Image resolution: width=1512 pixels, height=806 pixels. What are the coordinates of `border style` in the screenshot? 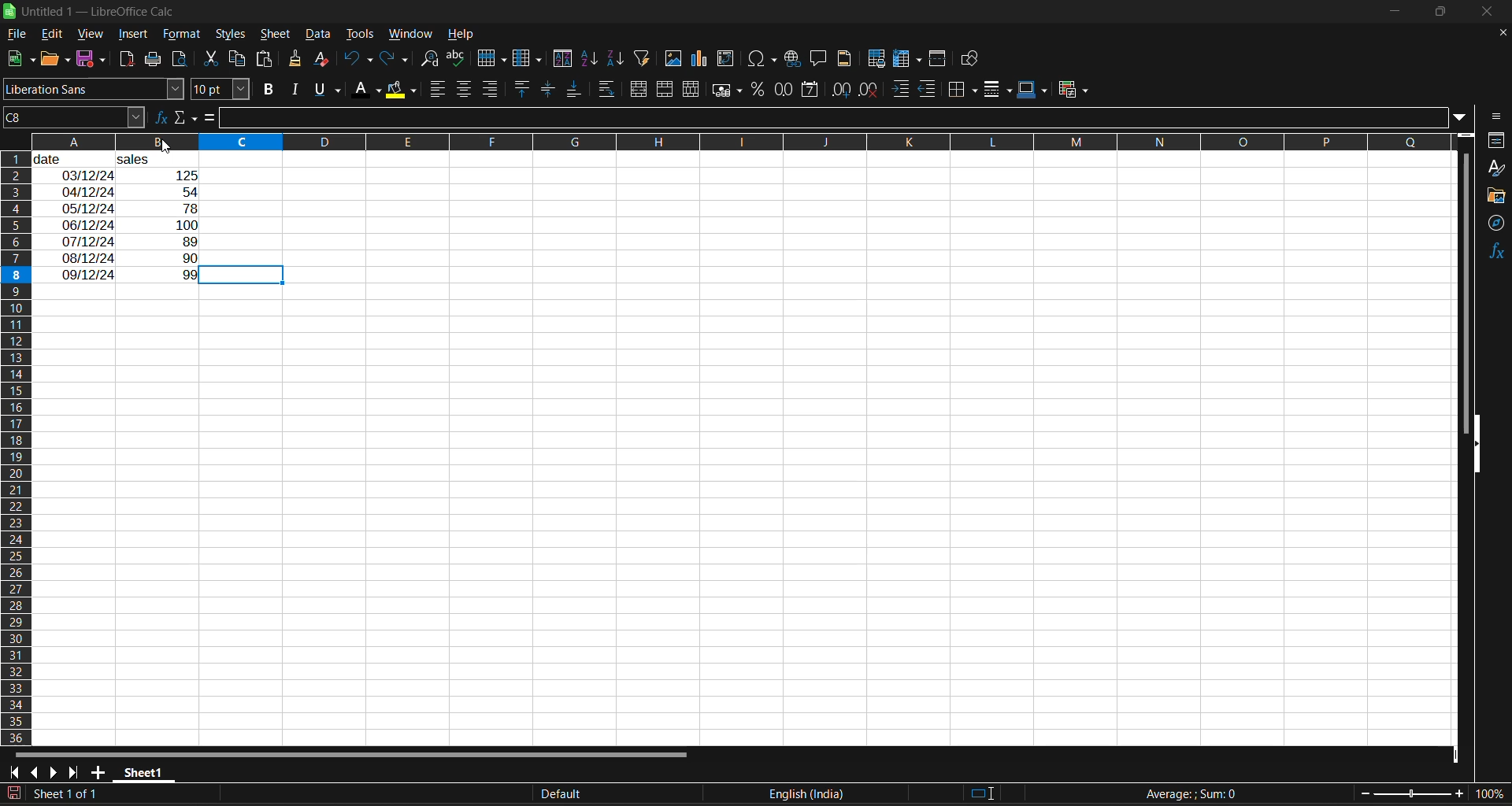 It's located at (999, 91).